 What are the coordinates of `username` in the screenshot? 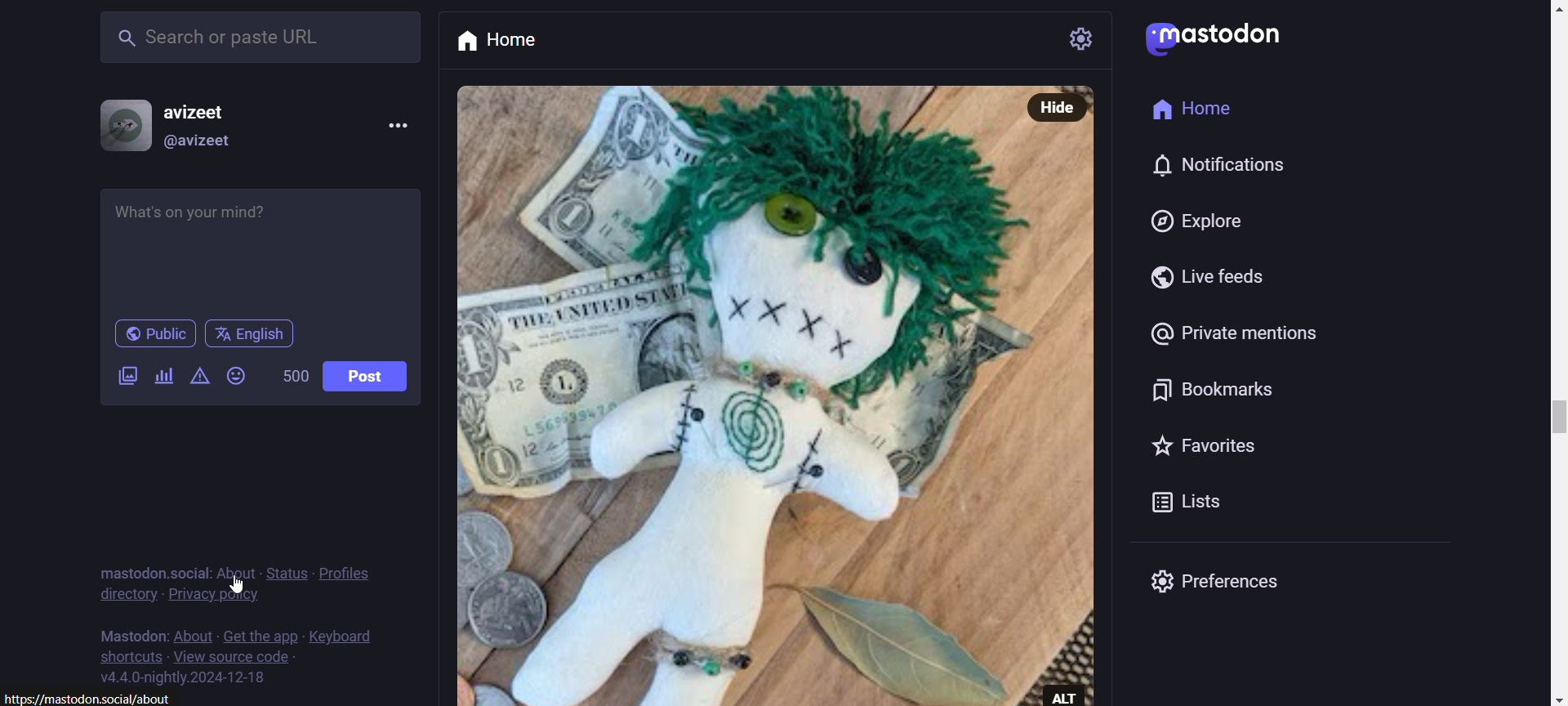 It's located at (204, 107).